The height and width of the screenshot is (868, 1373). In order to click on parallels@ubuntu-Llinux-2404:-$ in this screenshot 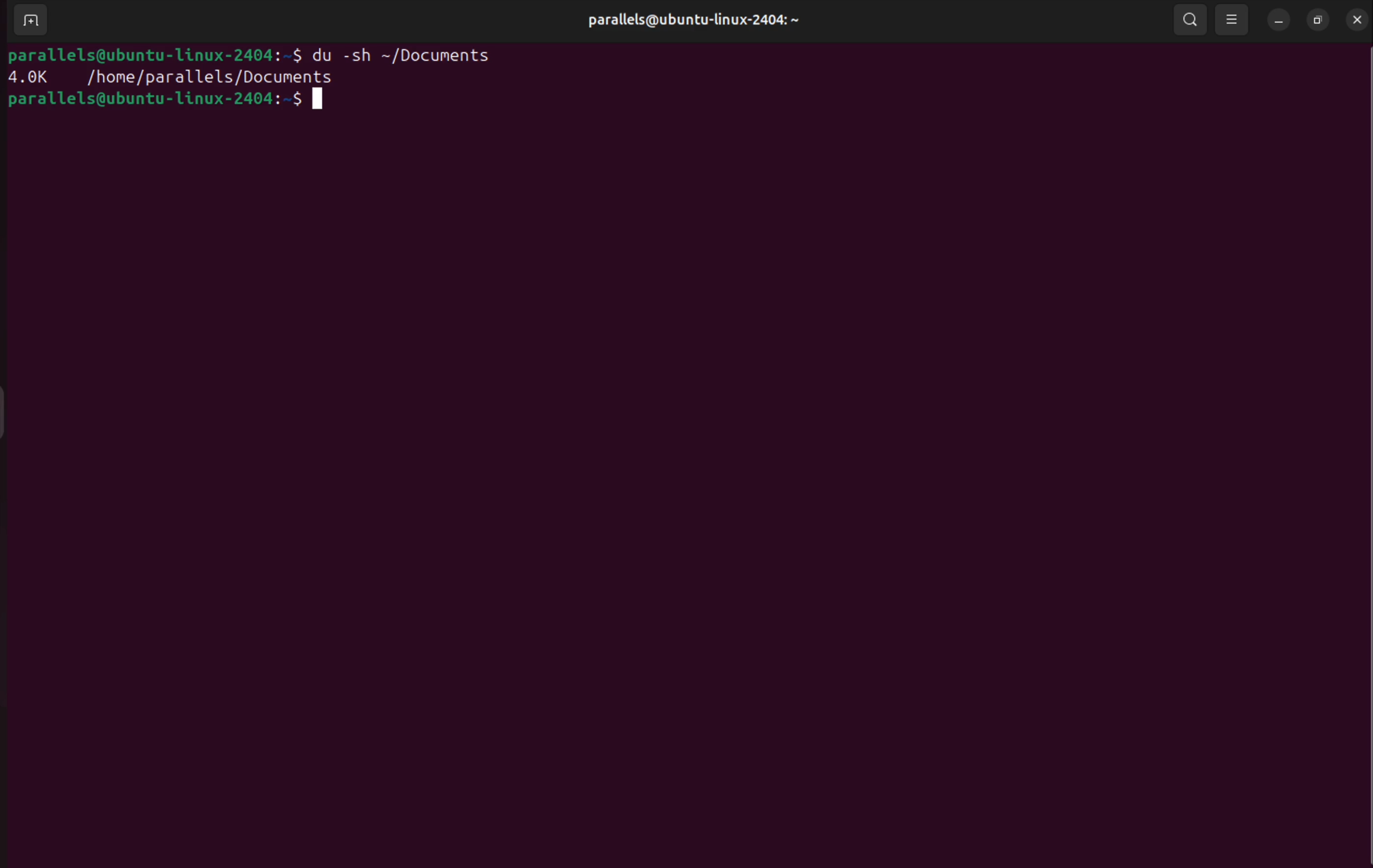, I will do `click(156, 102)`.